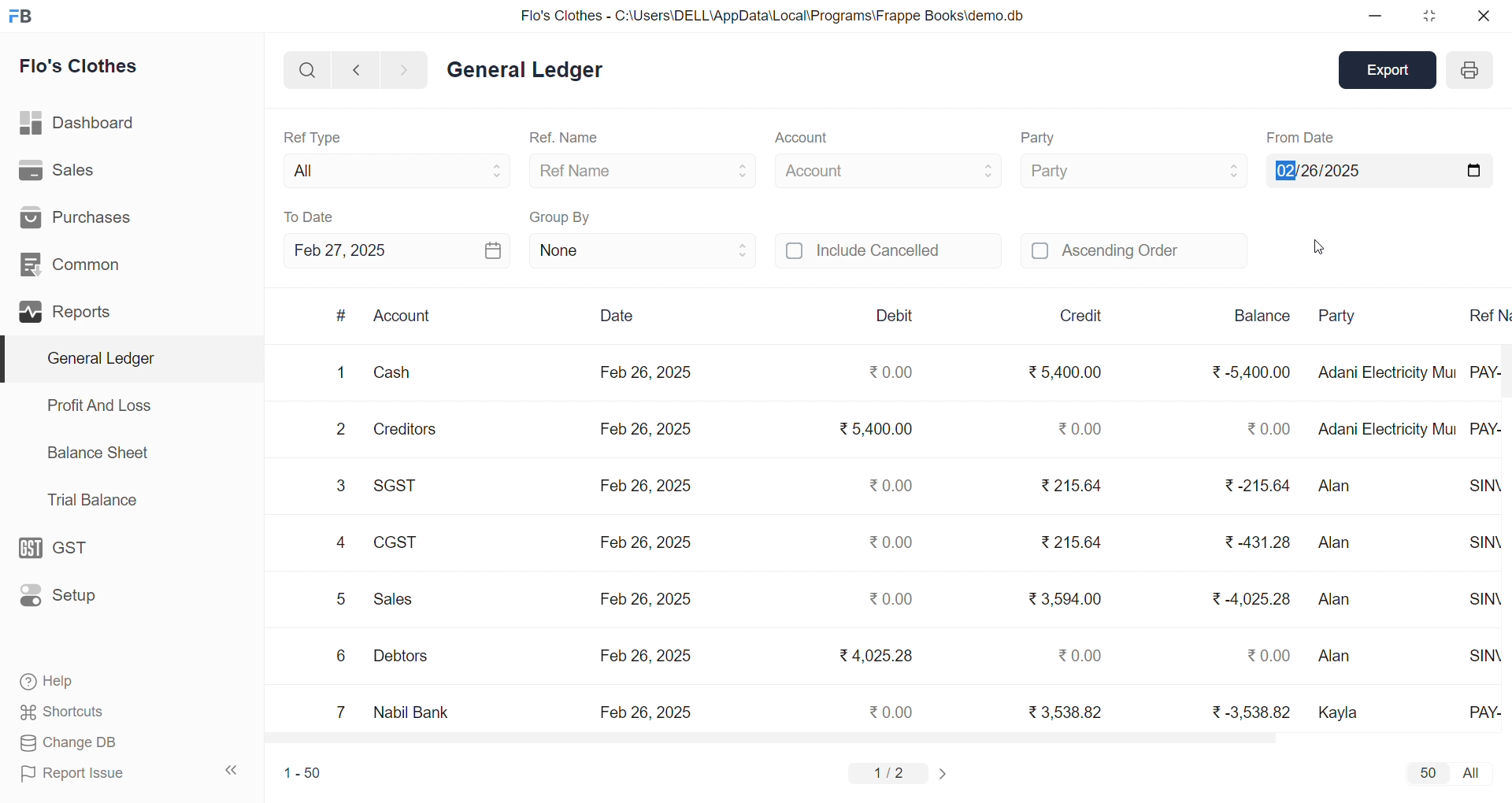  Describe the element at coordinates (395, 542) in the screenshot. I see `CGST` at that location.